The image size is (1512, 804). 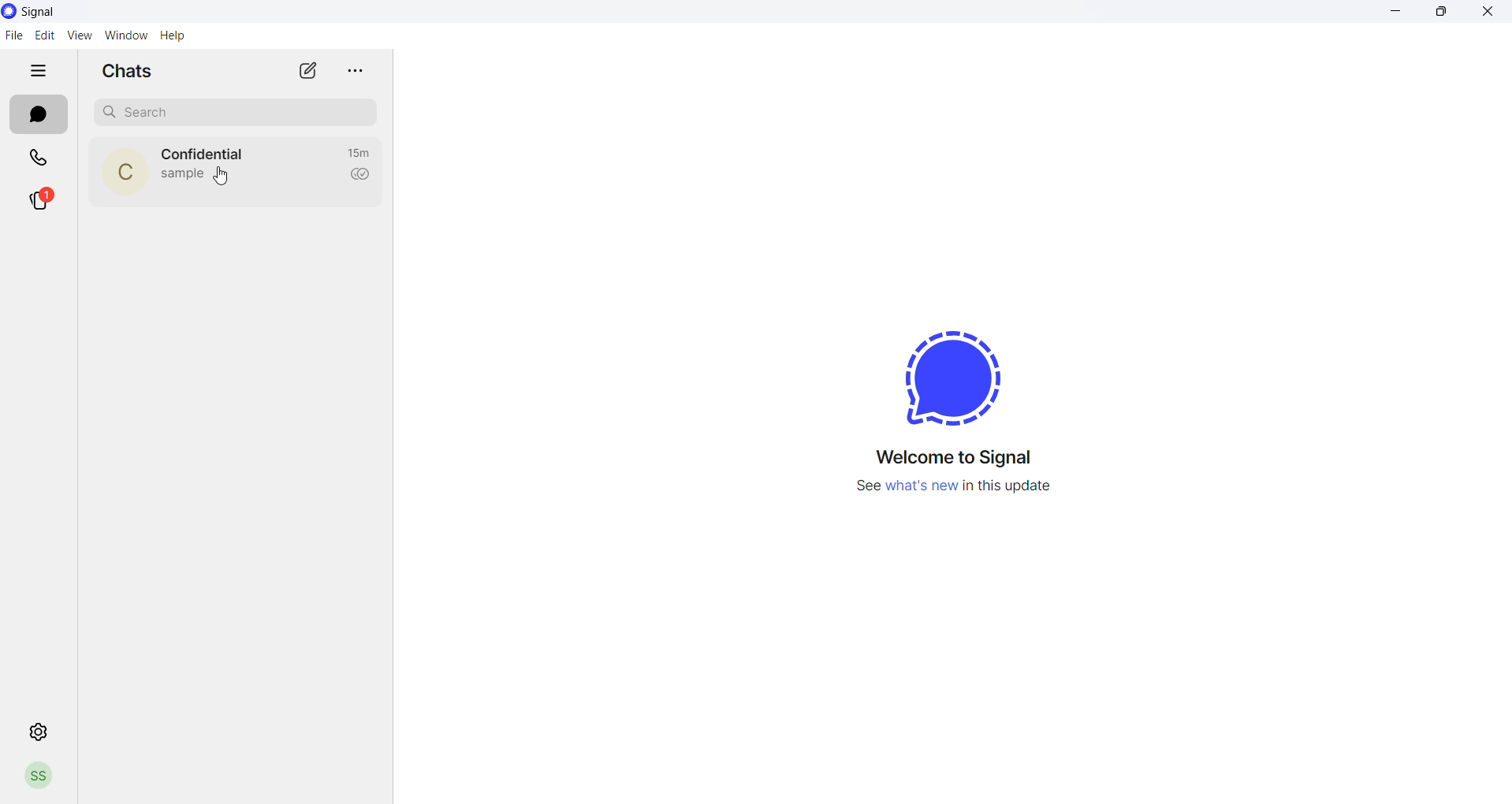 What do you see at coordinates (177, 35) in the screenshot?
I see `help` at bounding box center [177, 35].